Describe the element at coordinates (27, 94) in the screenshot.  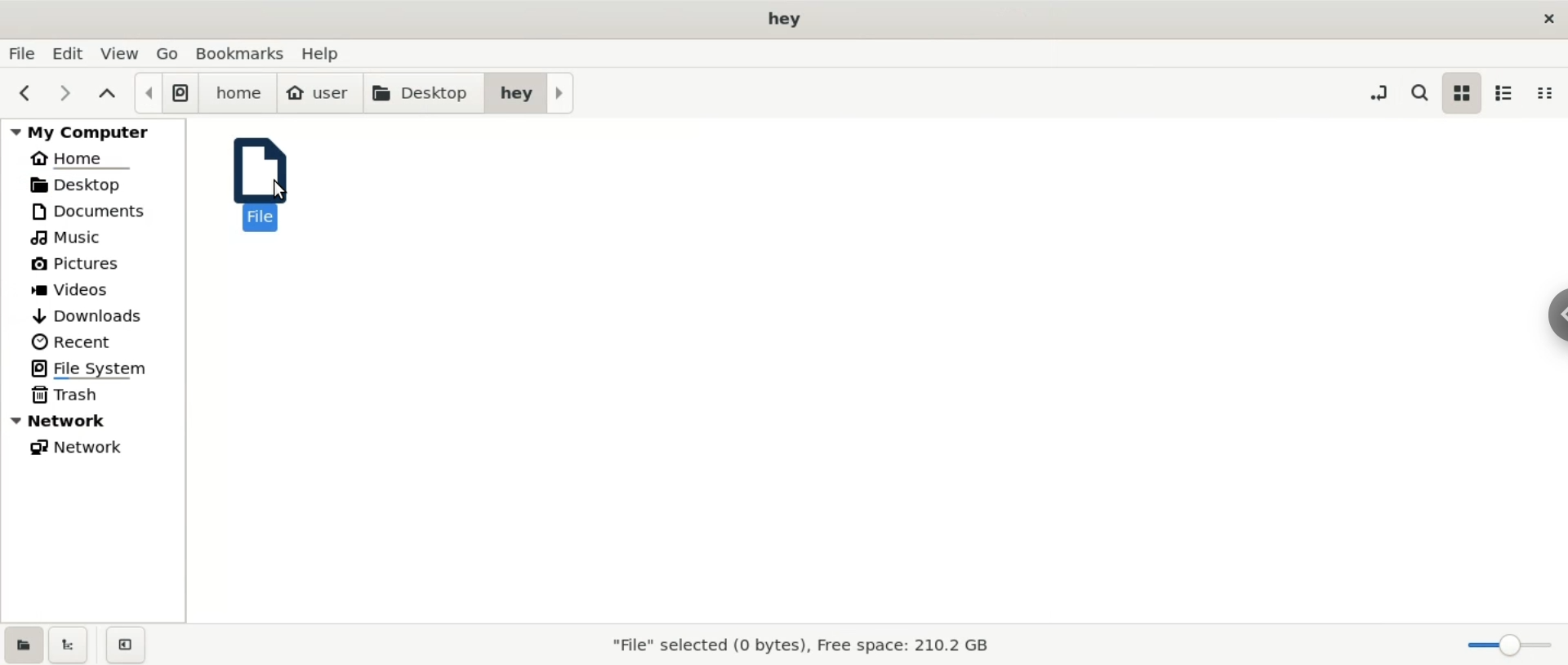
I see `previous` at that location.